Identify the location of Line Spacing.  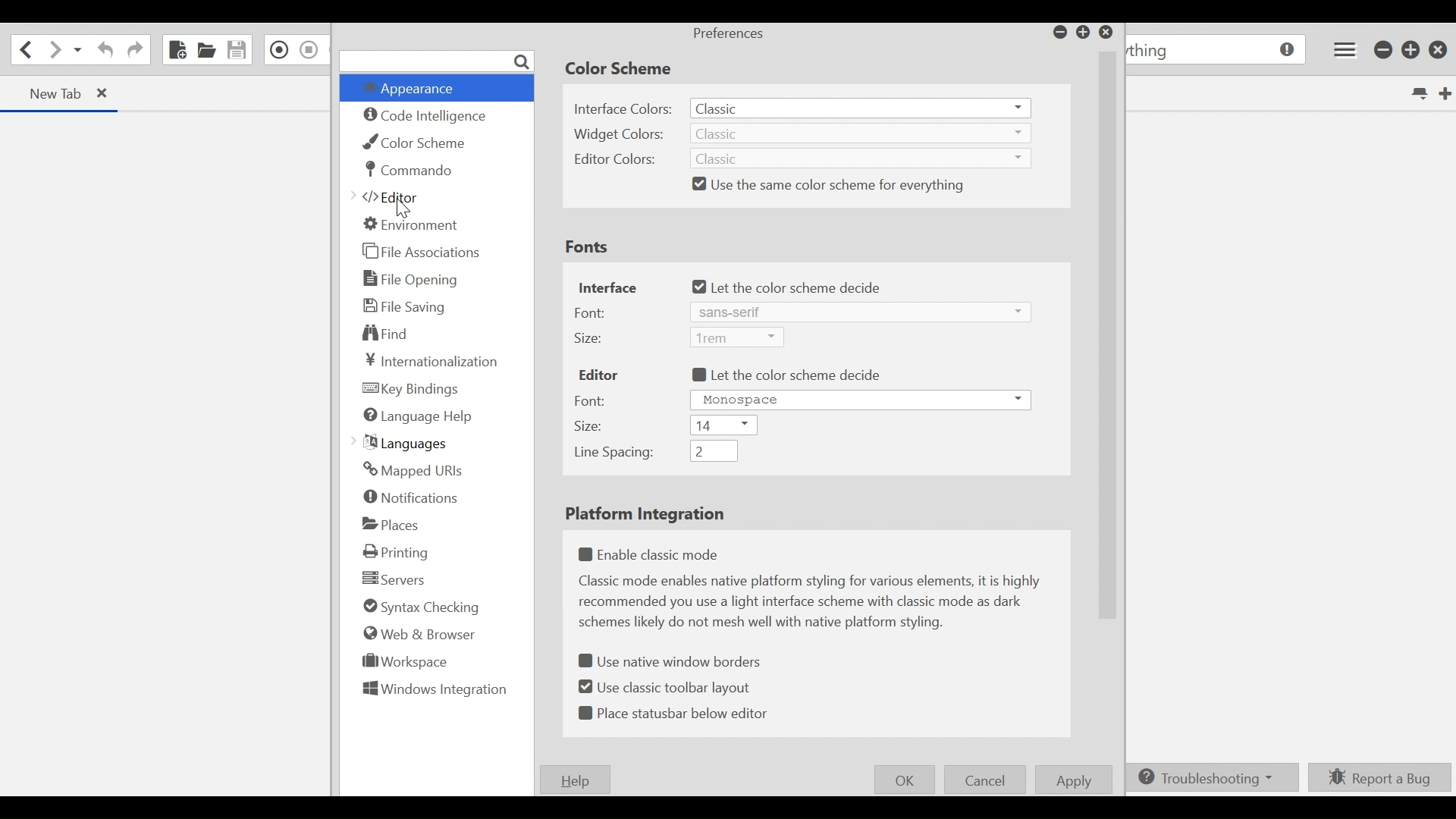
(613, 452).